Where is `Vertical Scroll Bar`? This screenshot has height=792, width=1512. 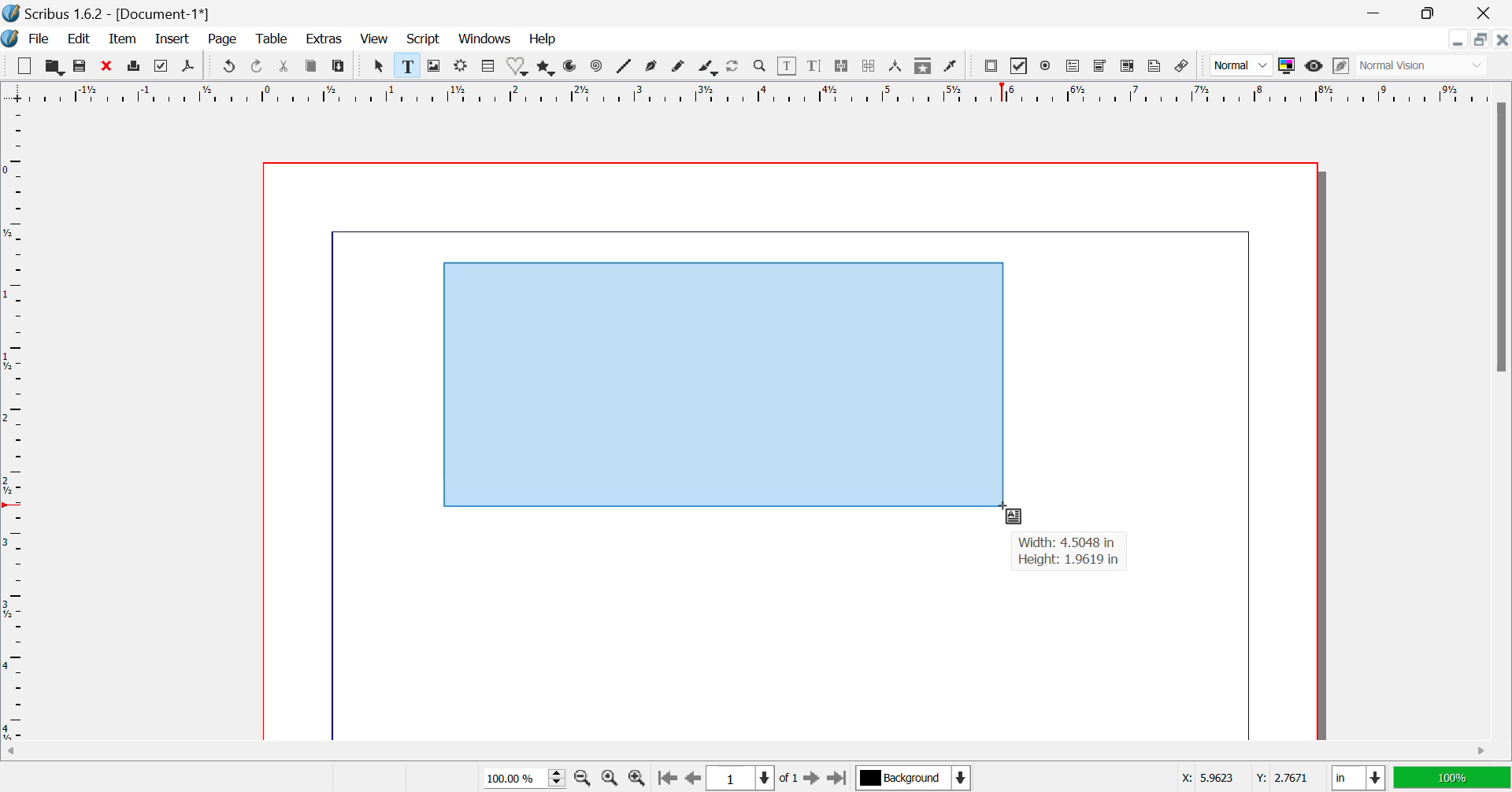
Vertical Scroll Bar is located at coordinates (1499, 418).